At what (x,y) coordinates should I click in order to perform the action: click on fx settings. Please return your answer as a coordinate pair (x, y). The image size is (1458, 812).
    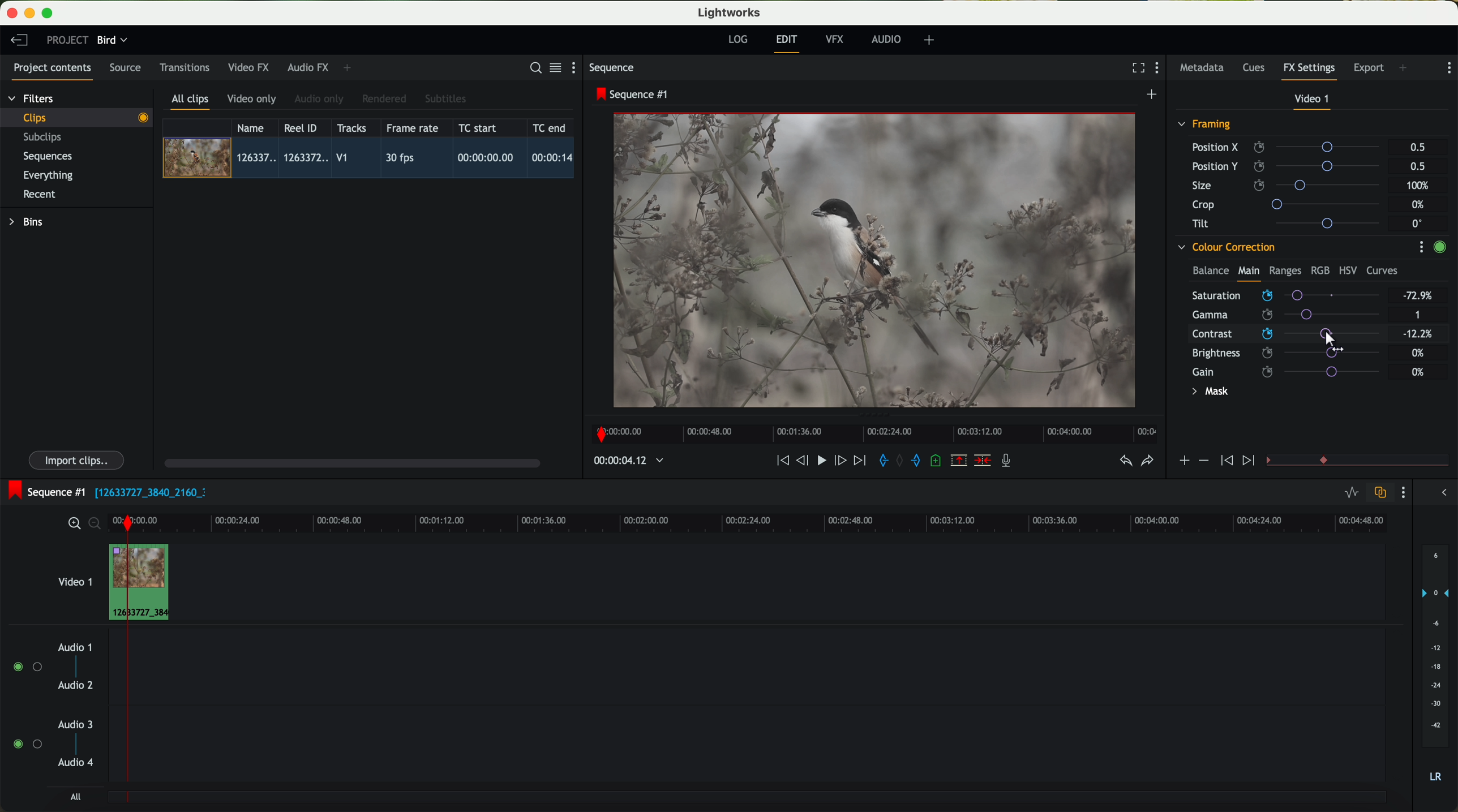
    Looking at the image, I should click on (1309, 71).